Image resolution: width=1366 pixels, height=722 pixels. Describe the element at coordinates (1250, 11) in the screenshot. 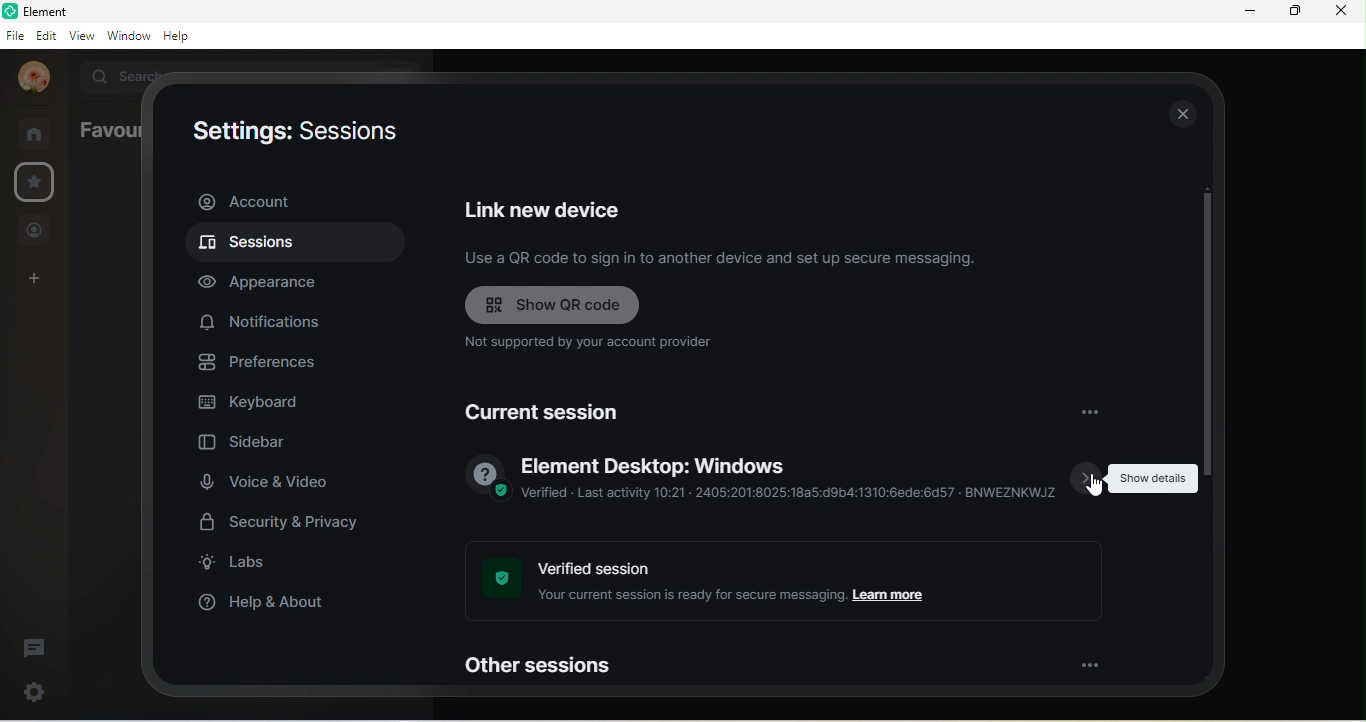

I see `minimize` at that location.